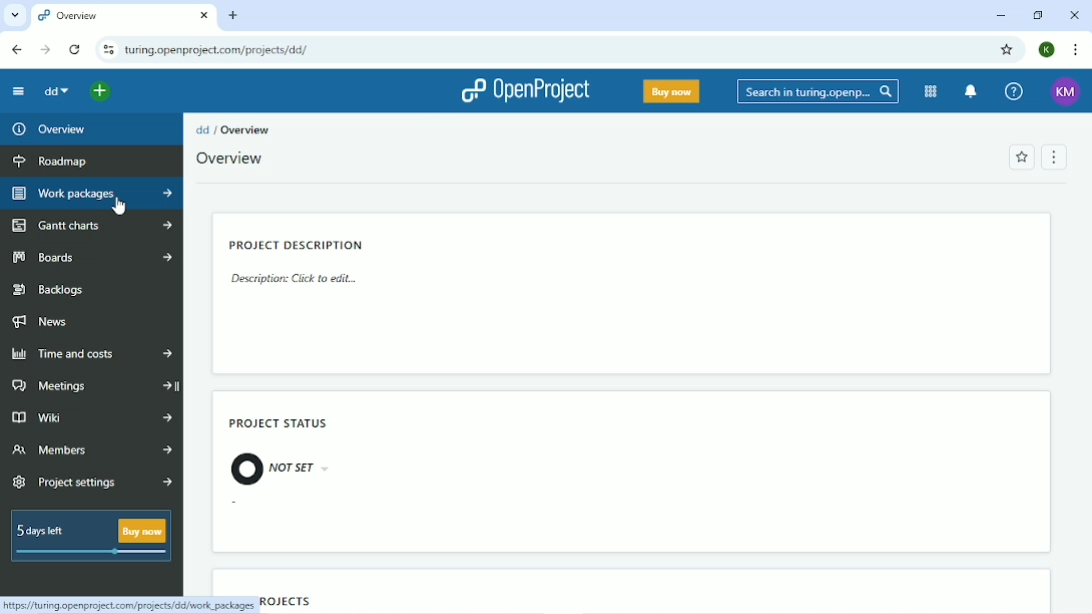  Describe the element at coordinates (202, 131) in the screenshot. I see `dd` at that location.